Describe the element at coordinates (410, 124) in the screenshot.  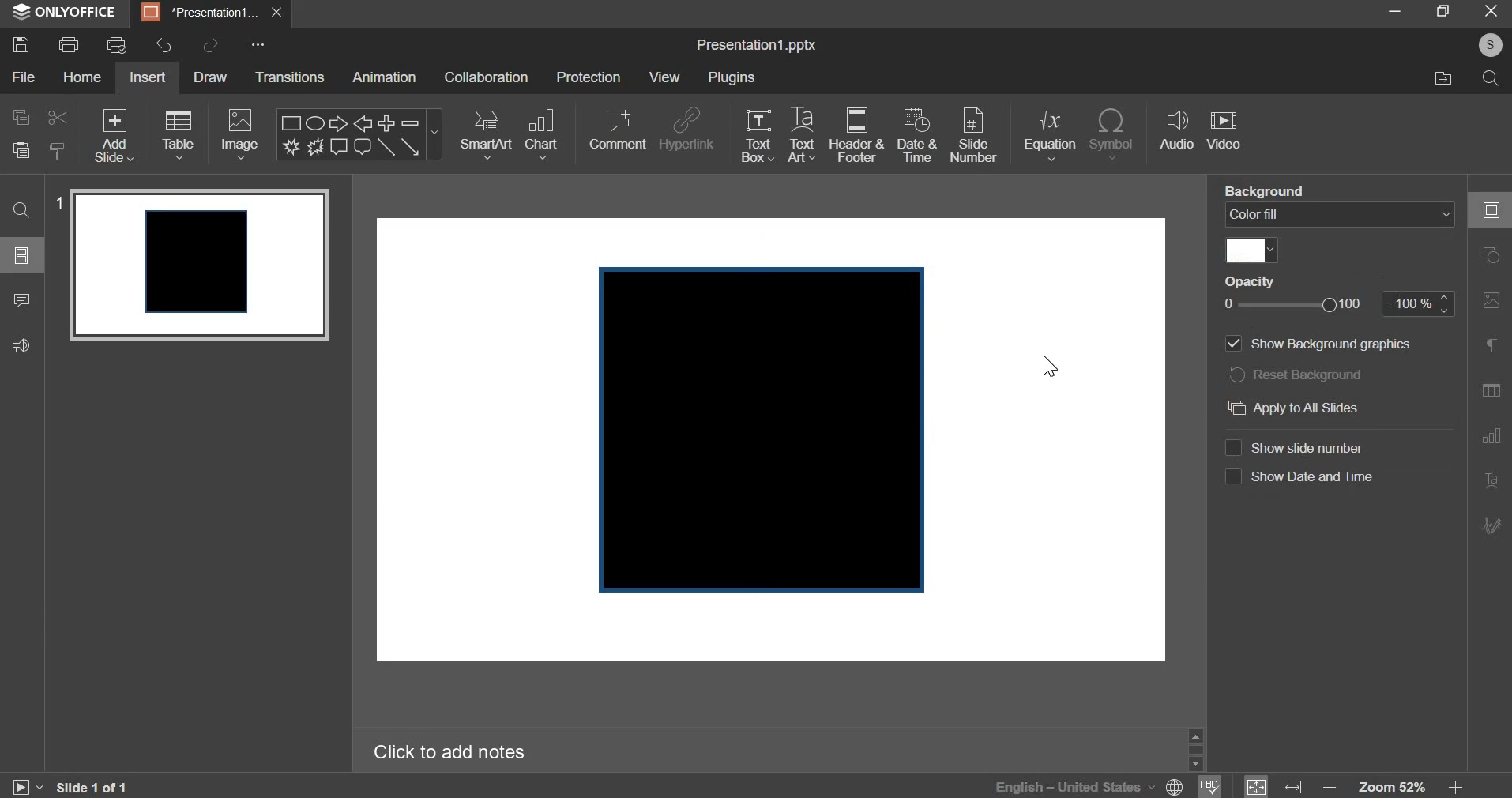
I see `Subtract Shape` at that location.